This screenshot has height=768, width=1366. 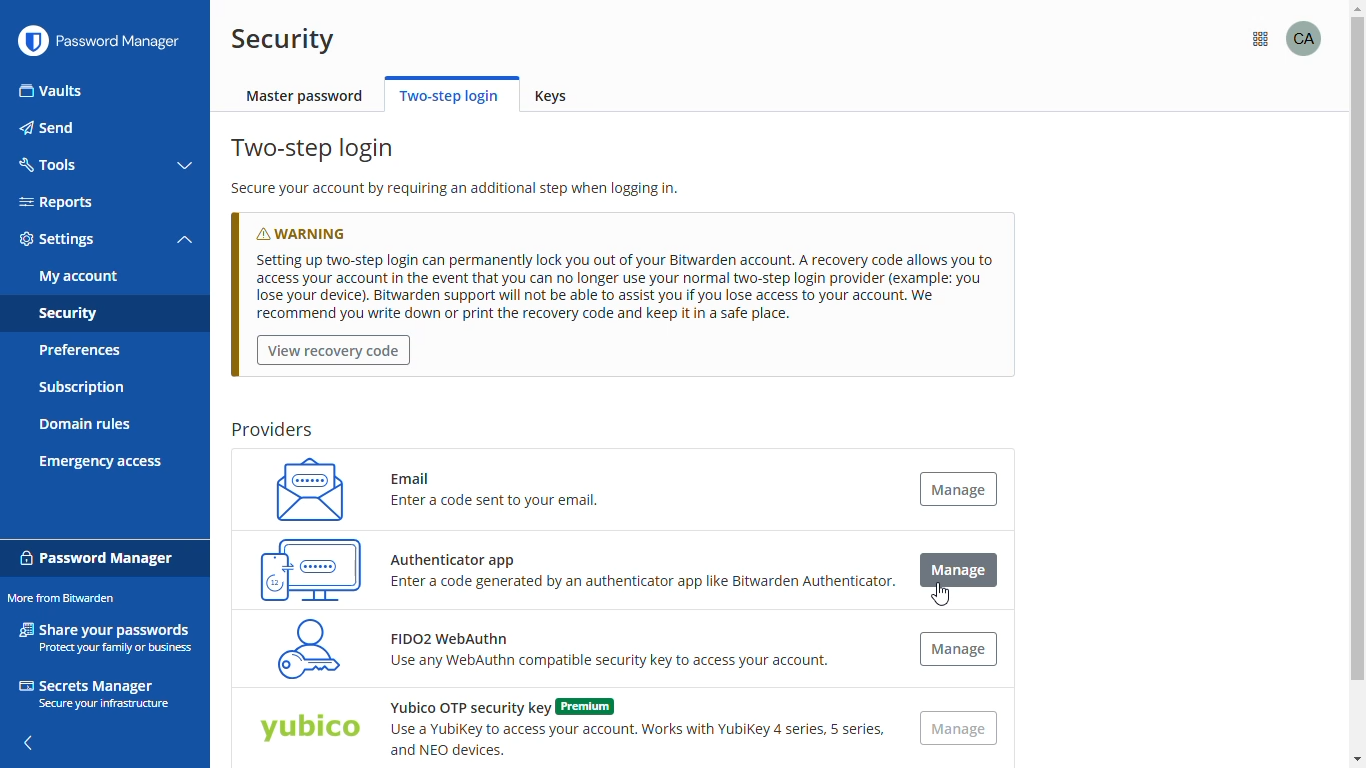 I want to click on security, so click(x=283, y=39).